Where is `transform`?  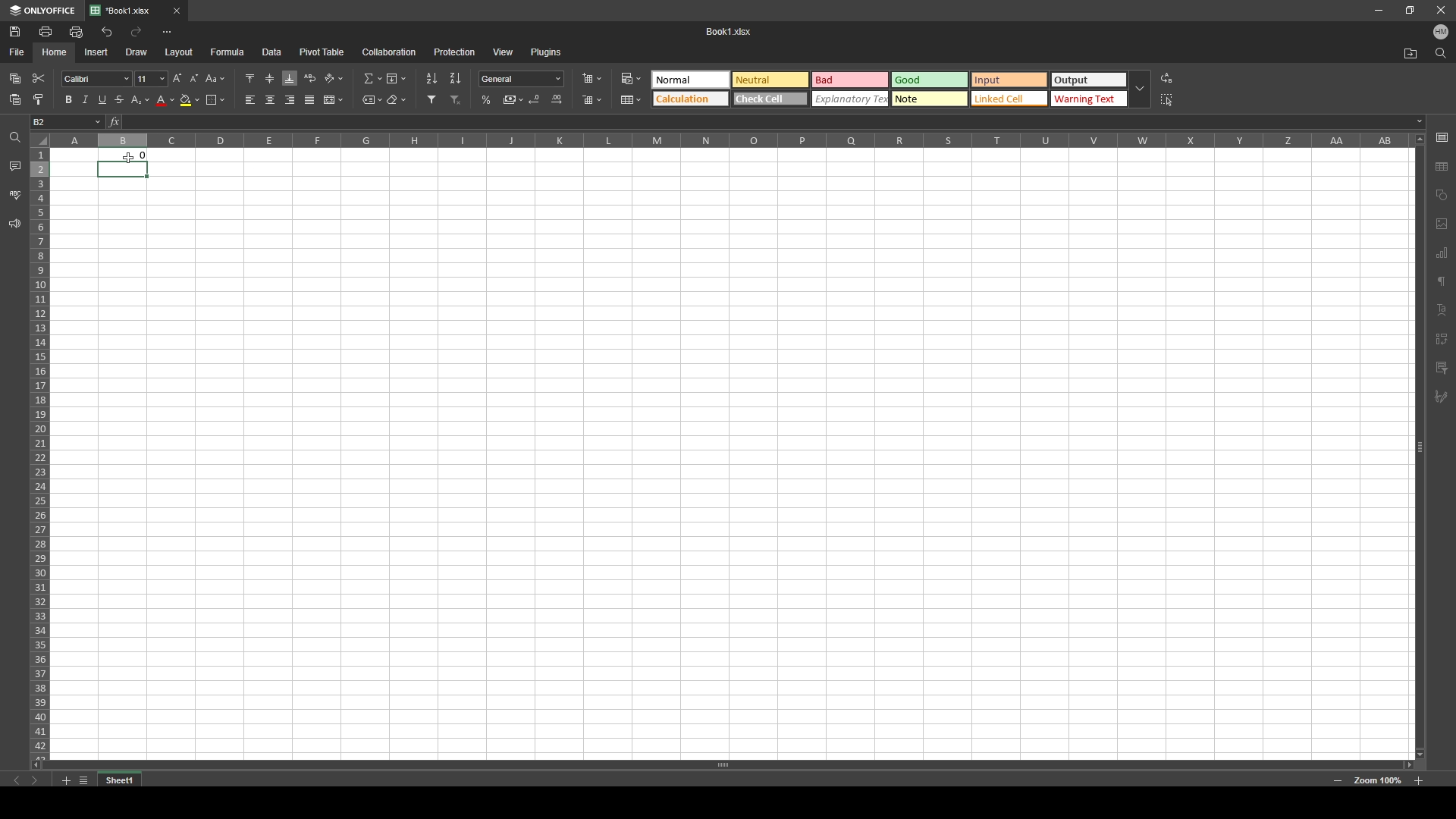
transform is located at coordinates (1442, 339).